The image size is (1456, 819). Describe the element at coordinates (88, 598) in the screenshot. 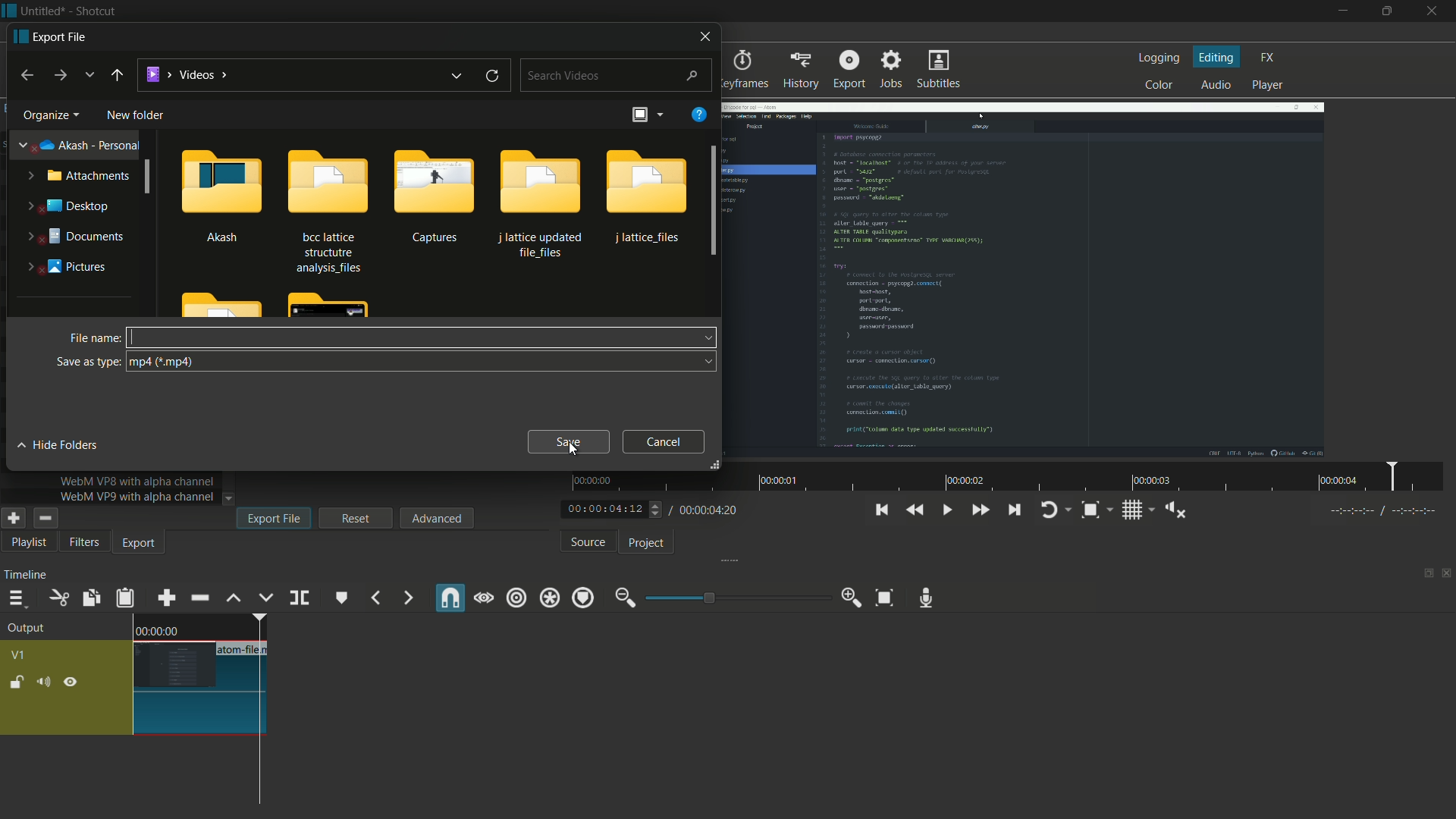

I see `copy` at that location.